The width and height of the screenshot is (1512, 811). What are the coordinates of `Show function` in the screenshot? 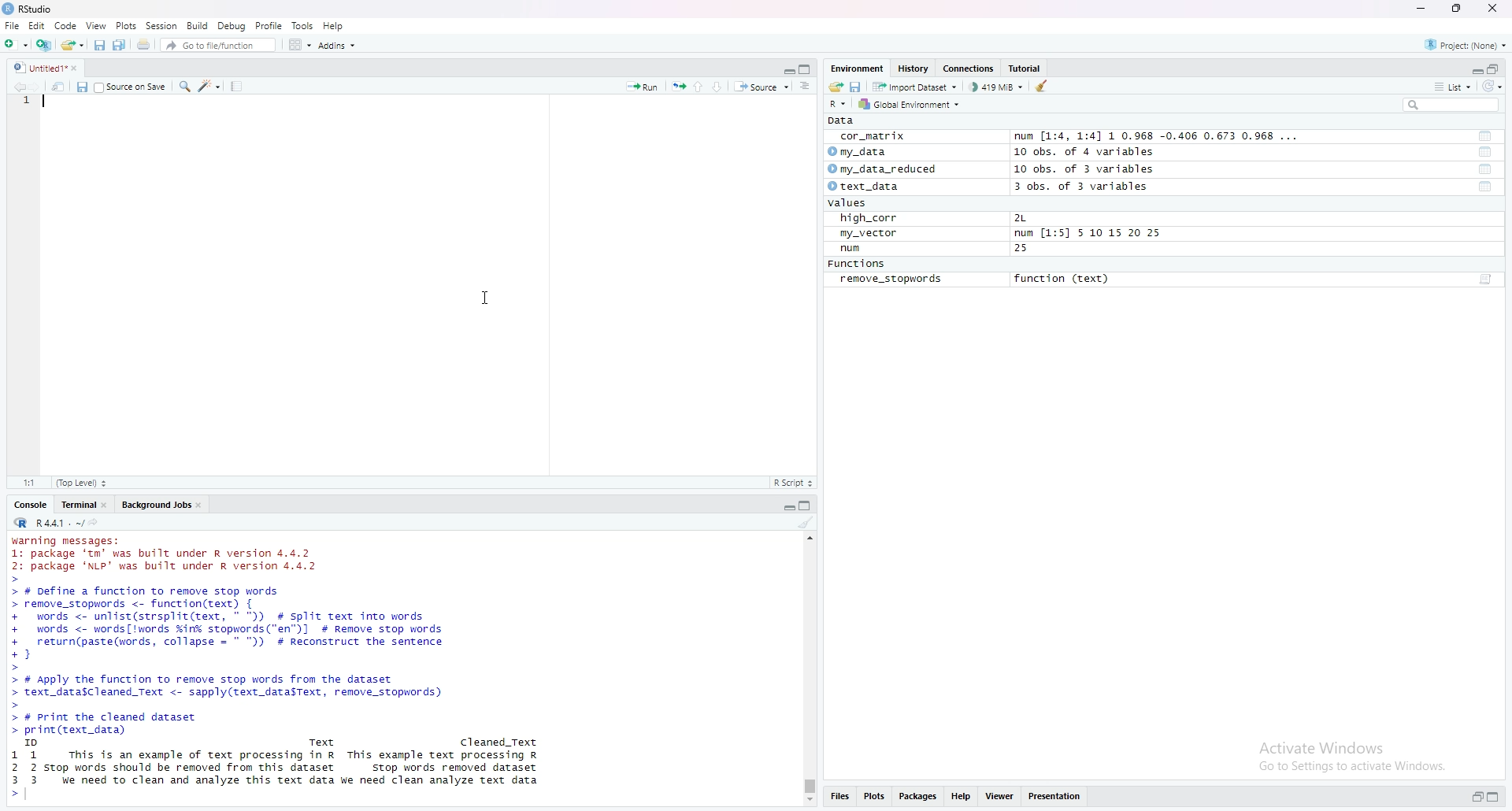 It's located at (1487, 280).